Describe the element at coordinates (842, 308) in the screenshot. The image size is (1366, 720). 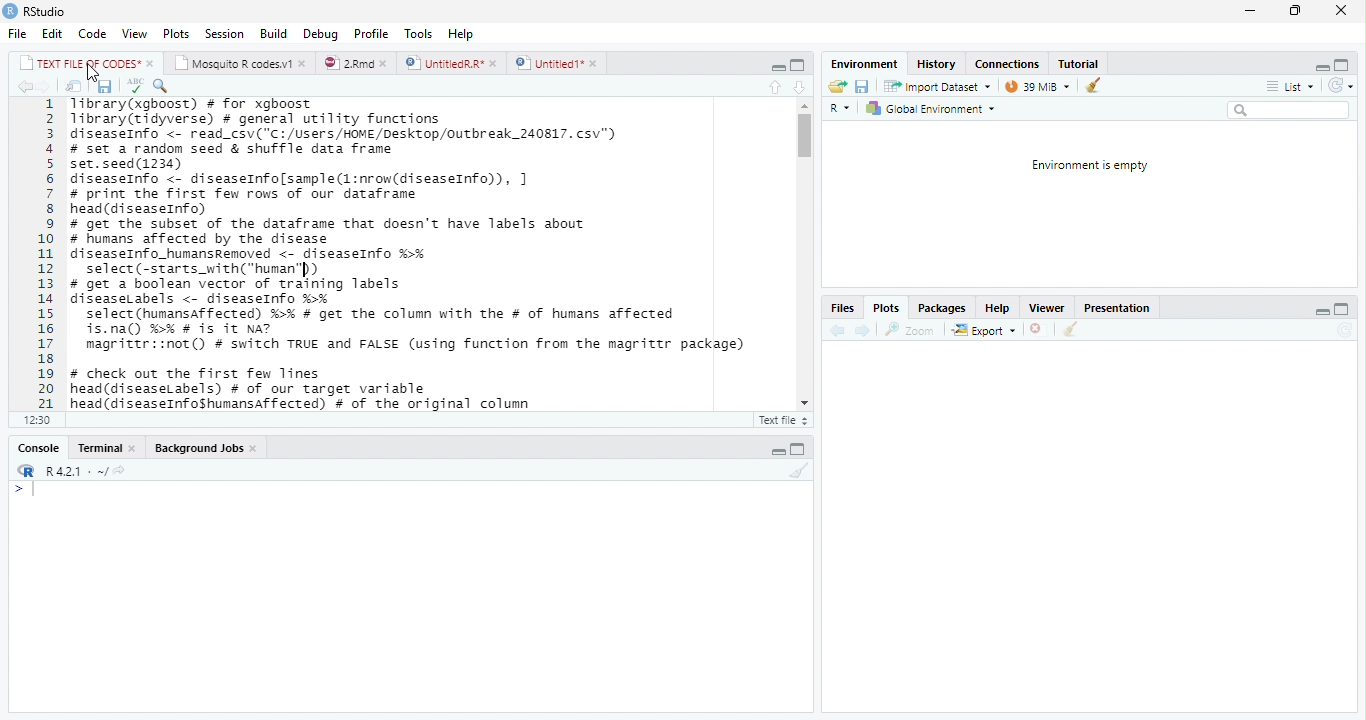
I see `Files` at that location.